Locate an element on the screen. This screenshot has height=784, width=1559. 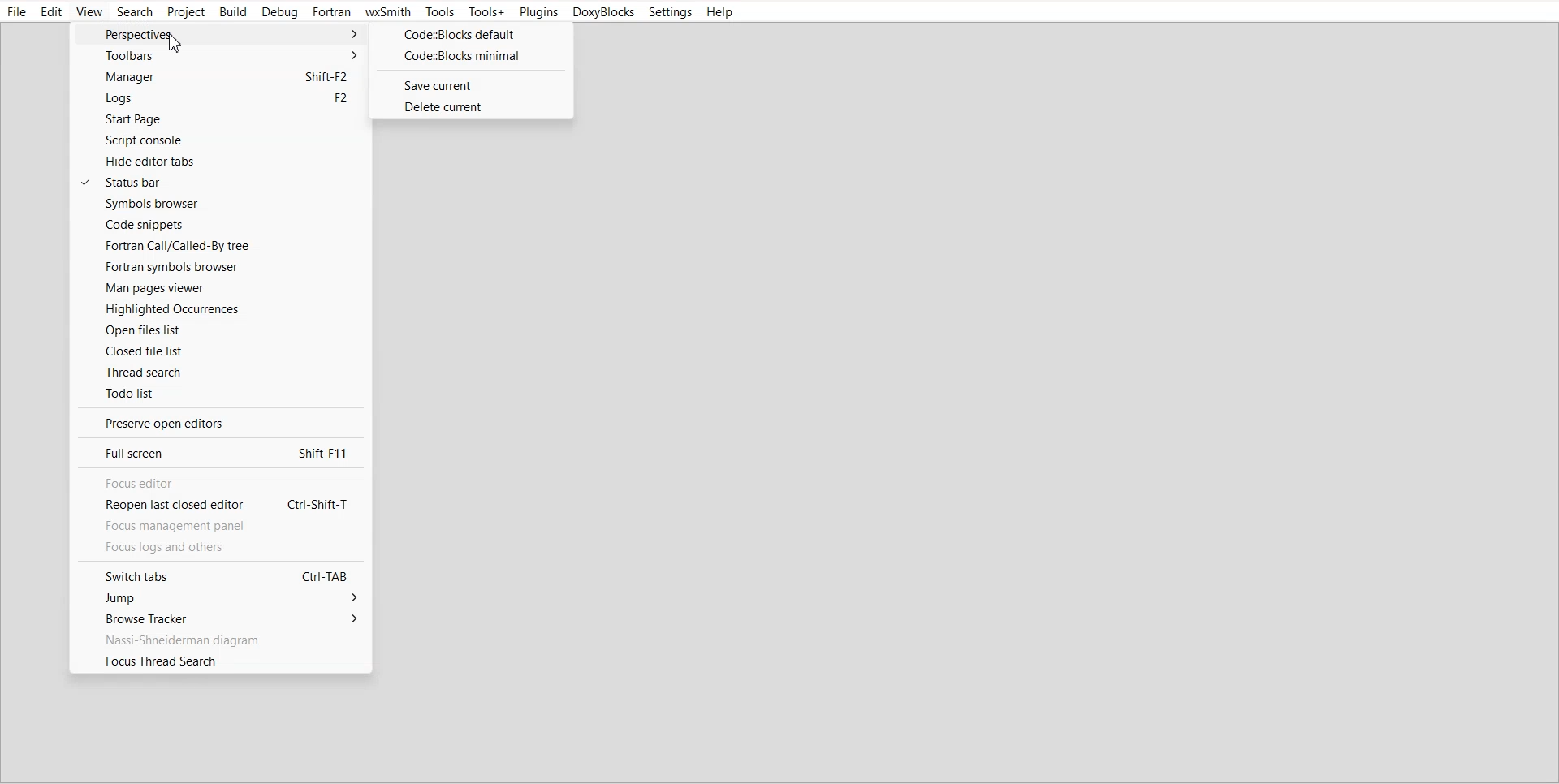
Project is located at coordinates (187, 13).